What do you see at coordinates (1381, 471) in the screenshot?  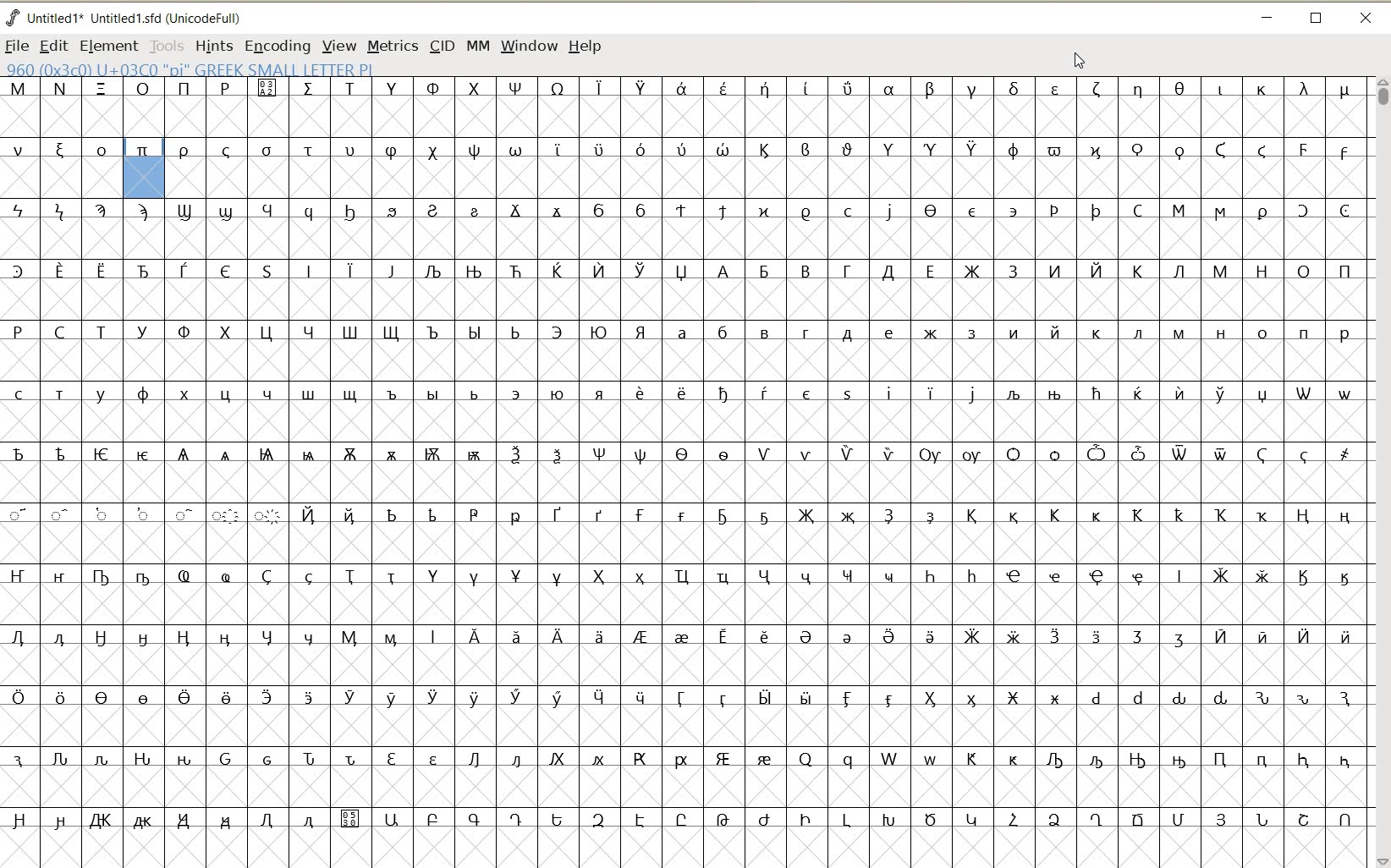 I see `SCROLLBAR` at bounding box center [1381, 471].